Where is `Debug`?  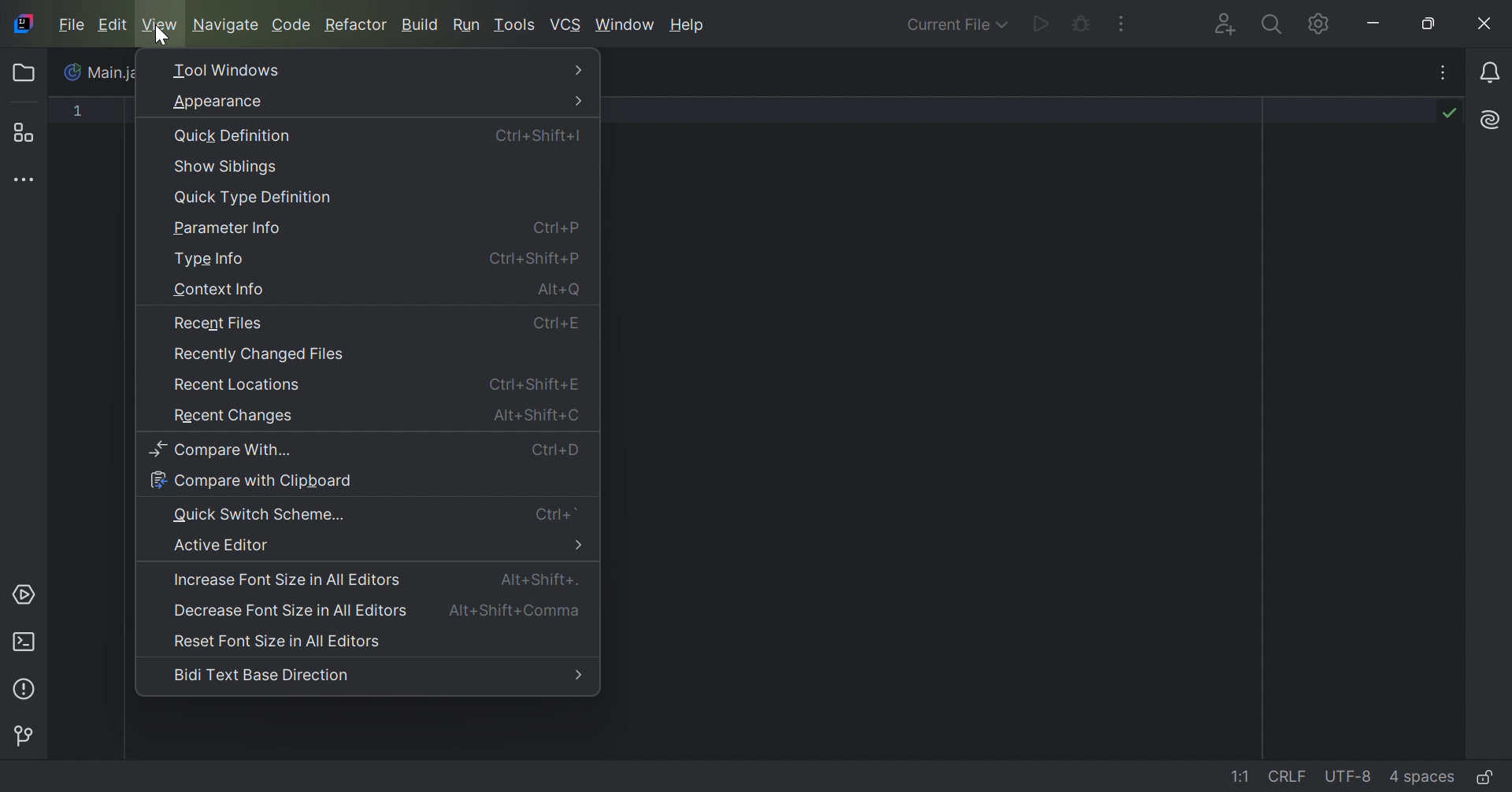
Debug is located at coordinates (1080, 26).